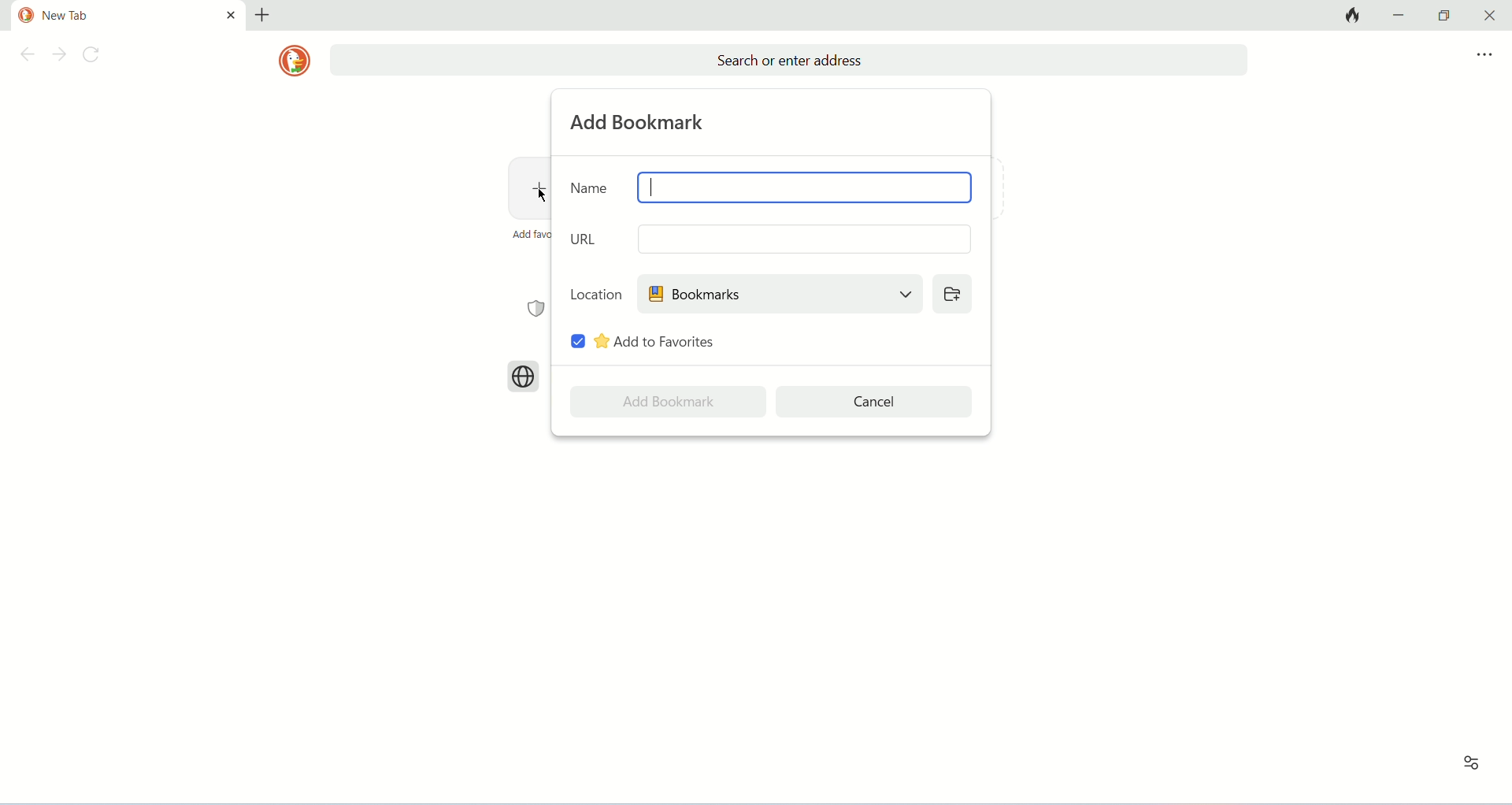  What do you see at coordinates (668, 402) in the screenshot?
I see `add bookmark` at bounding box center [668, 402].